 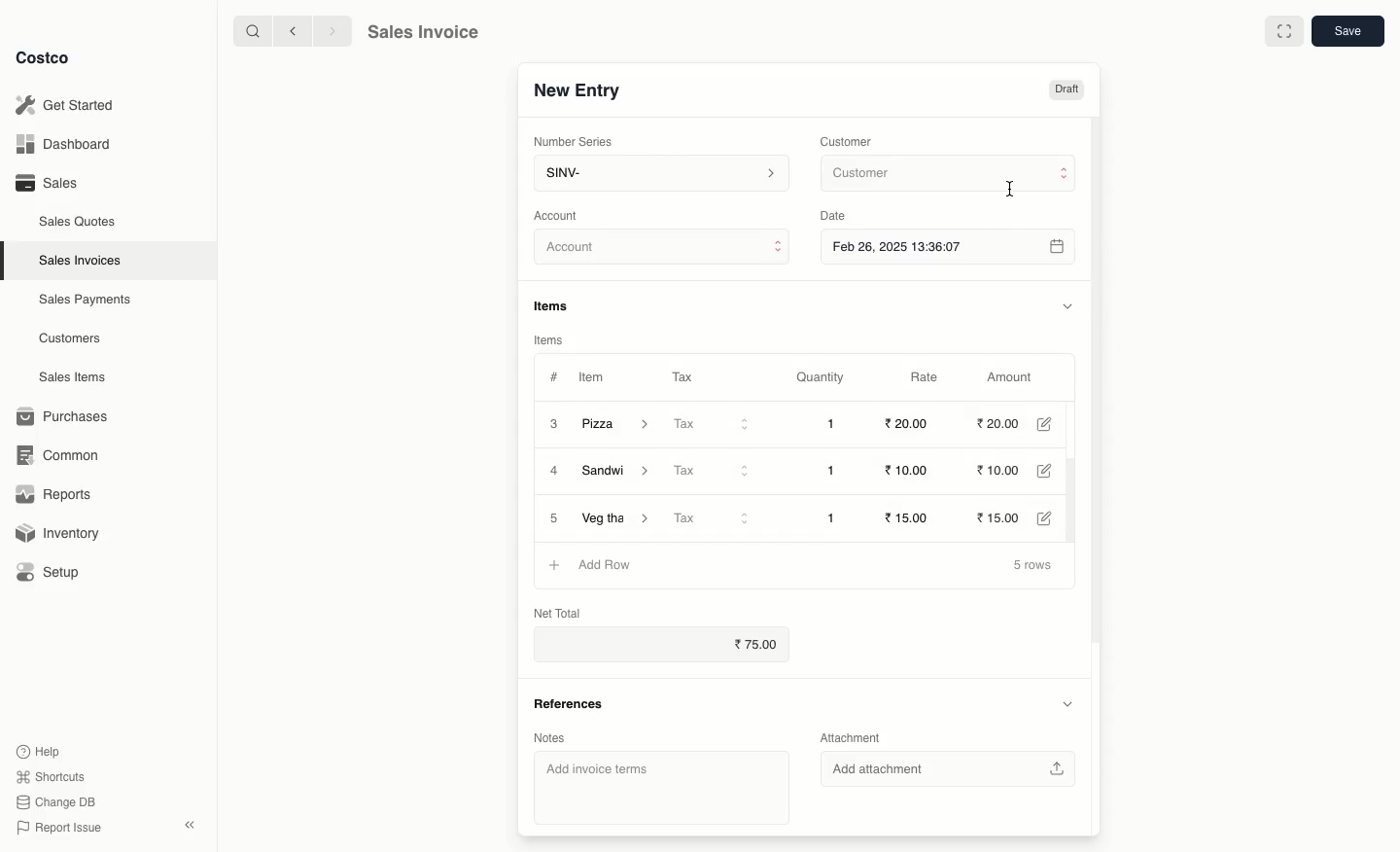 What do you see at coordinates (552, 423) in the screenshot?
I see `3` at bounding box center [552, 423].